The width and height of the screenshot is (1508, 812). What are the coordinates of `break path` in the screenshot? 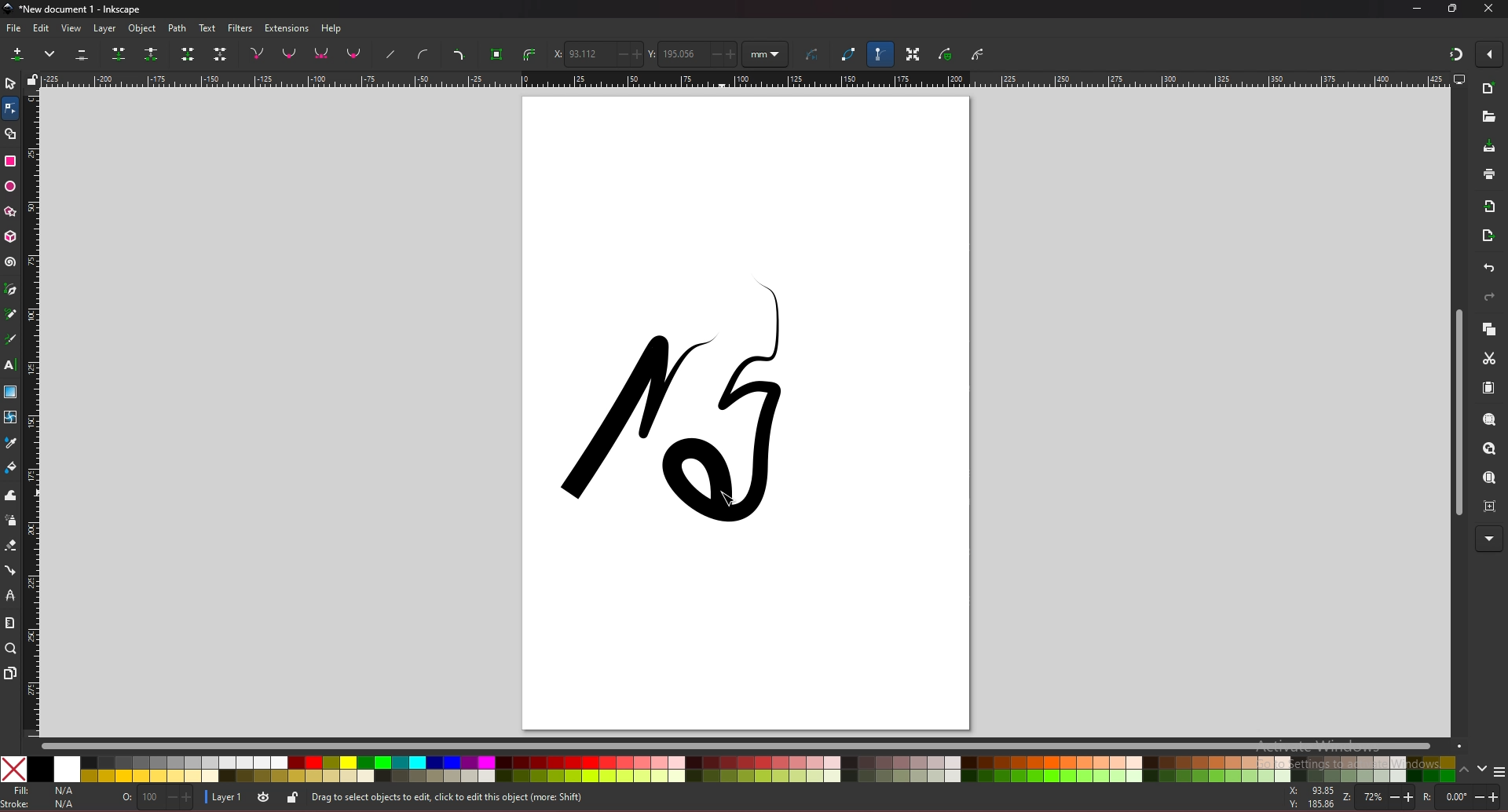 It's located at (151, 53).